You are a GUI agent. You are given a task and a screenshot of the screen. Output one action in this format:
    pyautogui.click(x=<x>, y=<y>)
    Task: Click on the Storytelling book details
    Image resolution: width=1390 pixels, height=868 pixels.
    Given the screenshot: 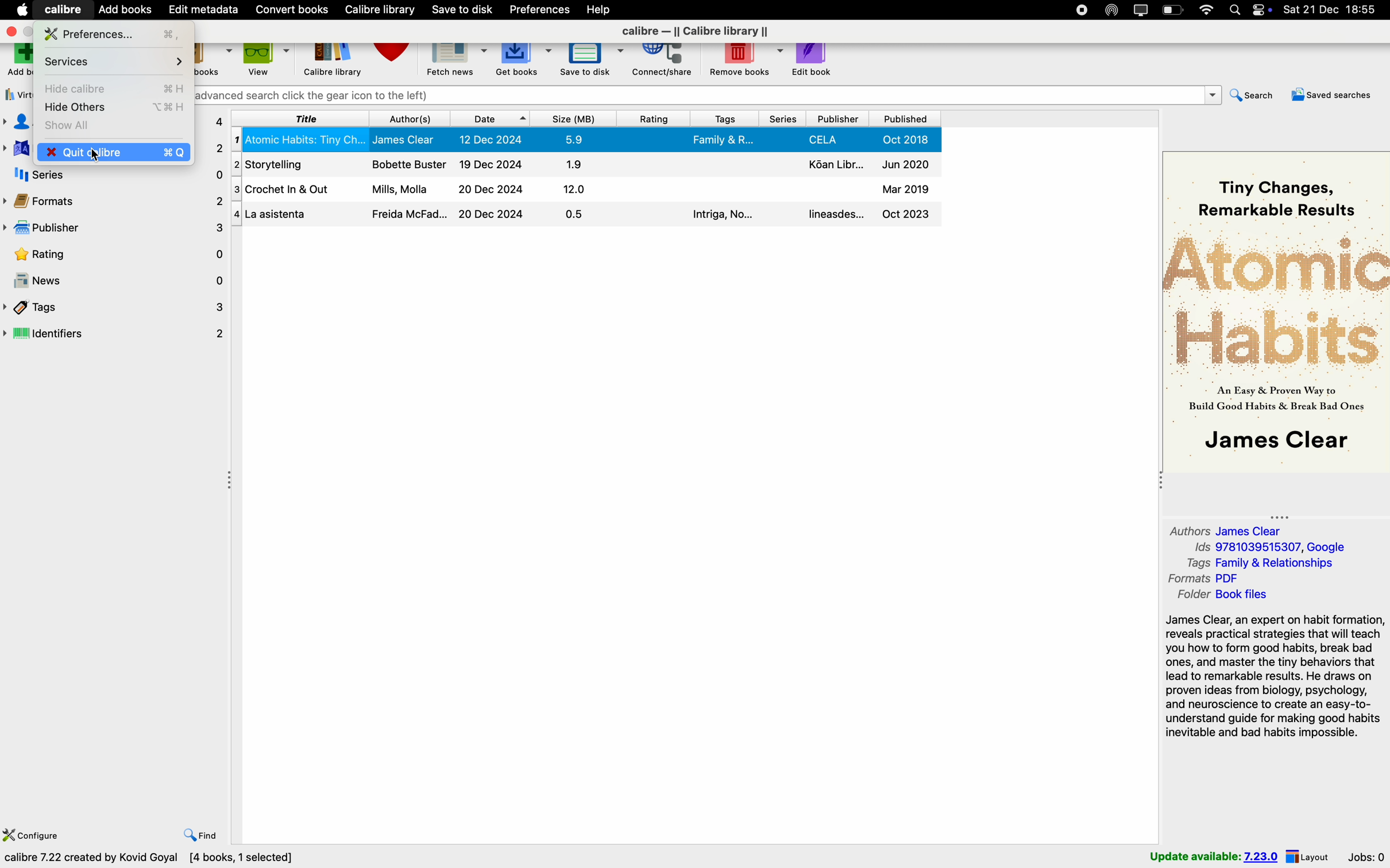 What is the action you would take?
    pyautogui.click(x=585, y=164)
    